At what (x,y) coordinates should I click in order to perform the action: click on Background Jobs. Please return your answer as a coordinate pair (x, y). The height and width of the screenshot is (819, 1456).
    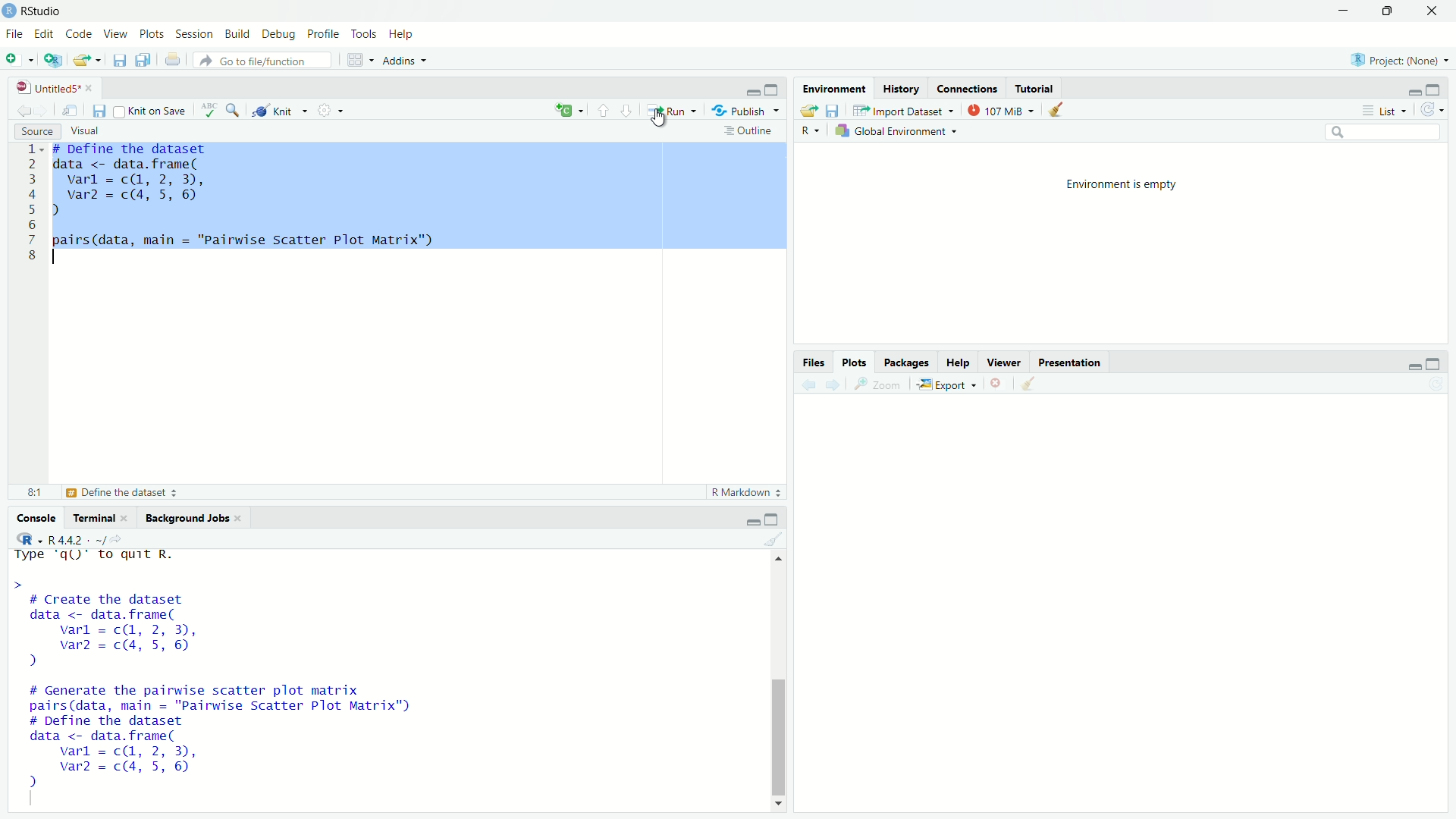
    Looking at the image, I should click on (190, 518).